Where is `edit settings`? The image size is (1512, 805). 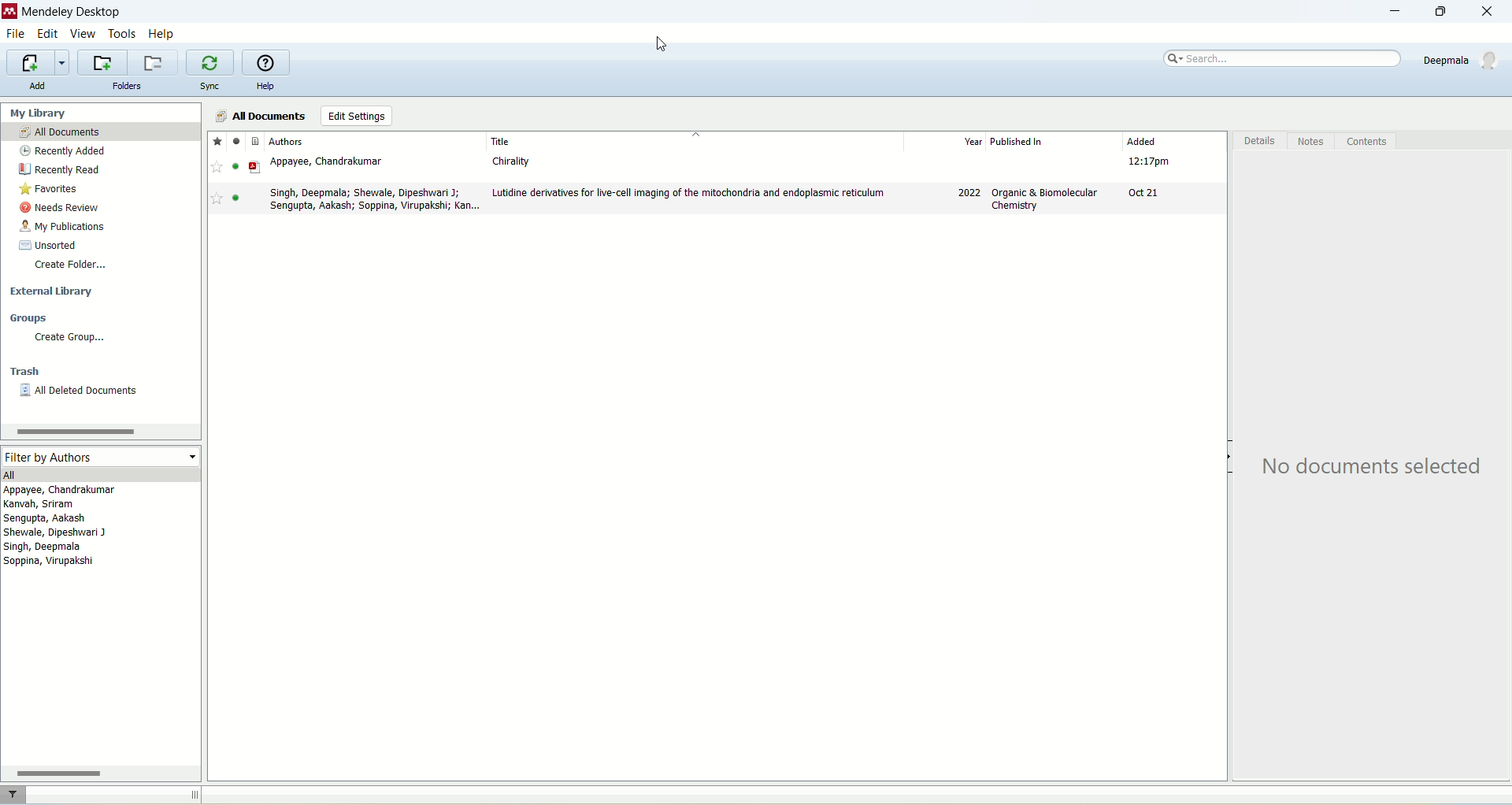
edit settings is located at coordinates (361, 117).